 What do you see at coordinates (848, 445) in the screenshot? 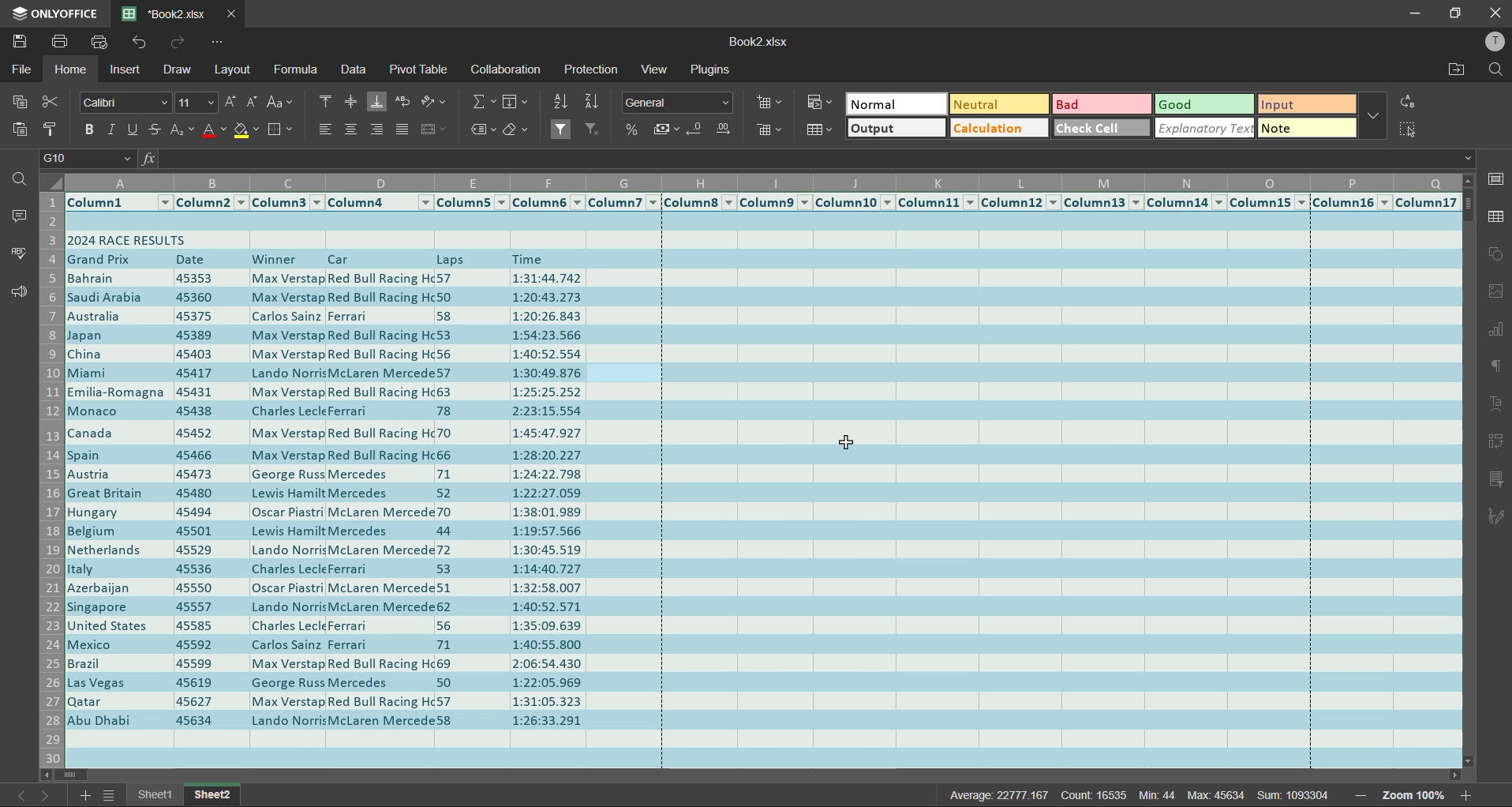
I see `cursor` at bounding box center [848, 445].